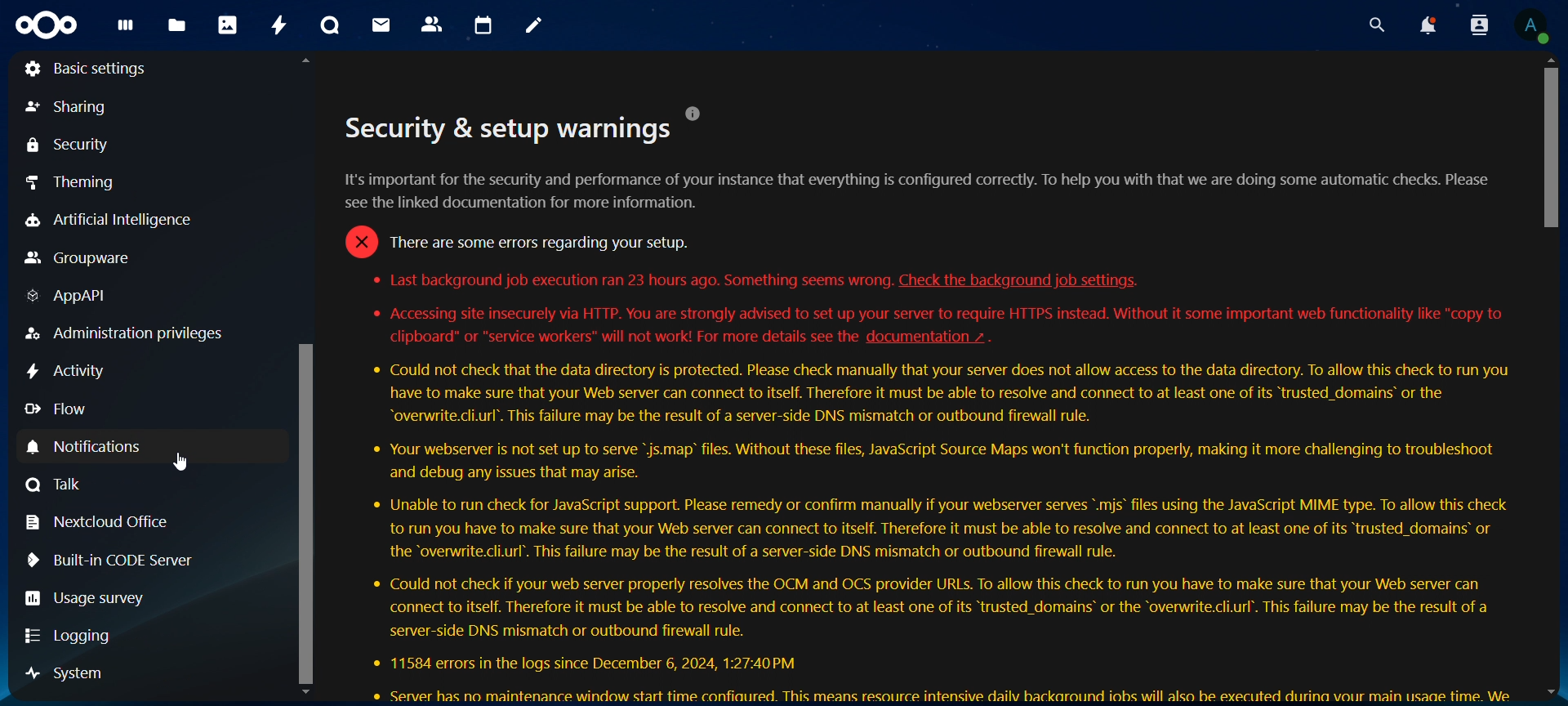 The height and width of the screenshot is (706, 1568). Describe the element at coordinates (60, 409) in the screenshot. I see `flow` at that location.